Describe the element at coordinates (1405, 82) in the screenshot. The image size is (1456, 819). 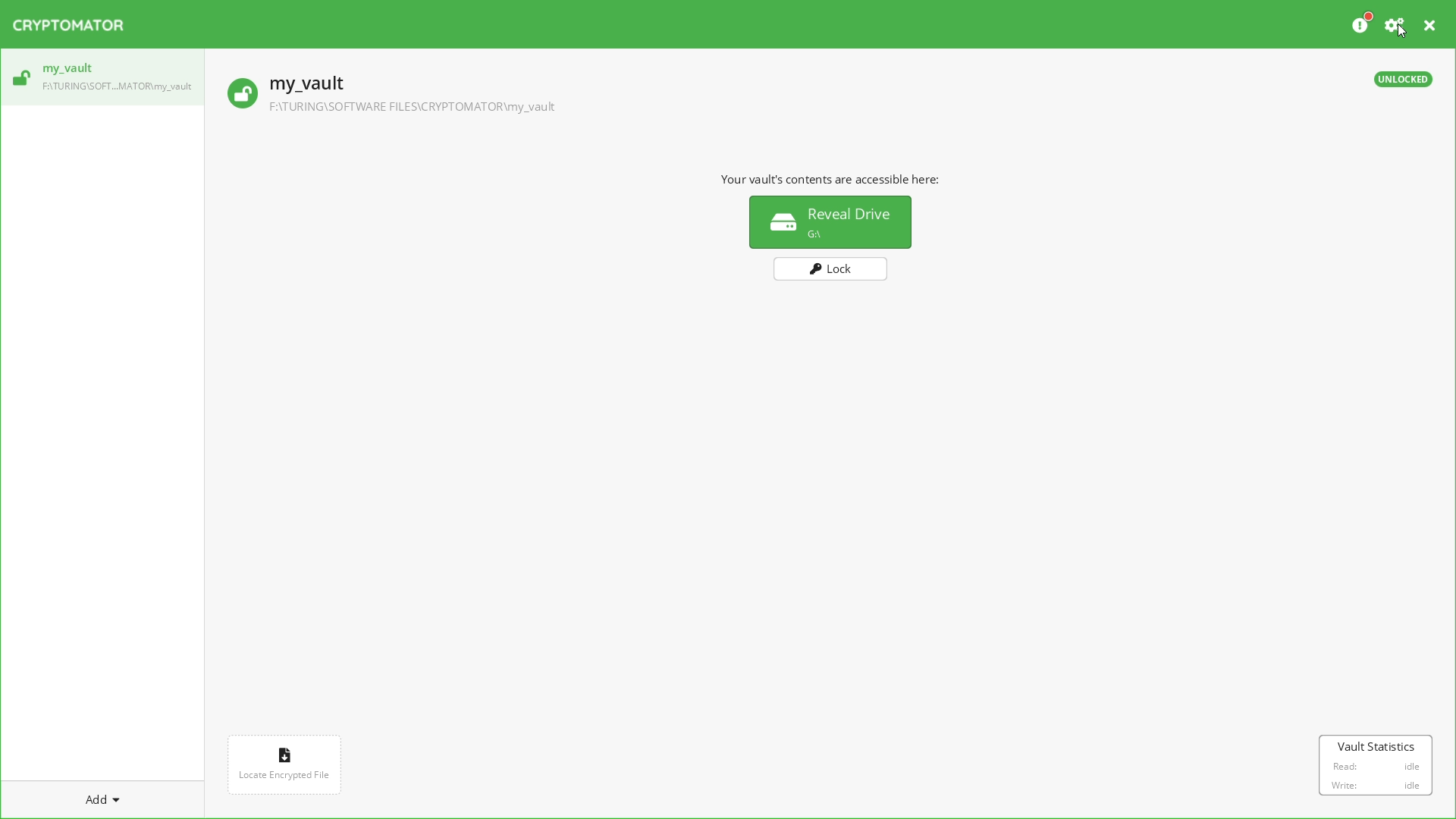
I see `Unlocked` at that location.